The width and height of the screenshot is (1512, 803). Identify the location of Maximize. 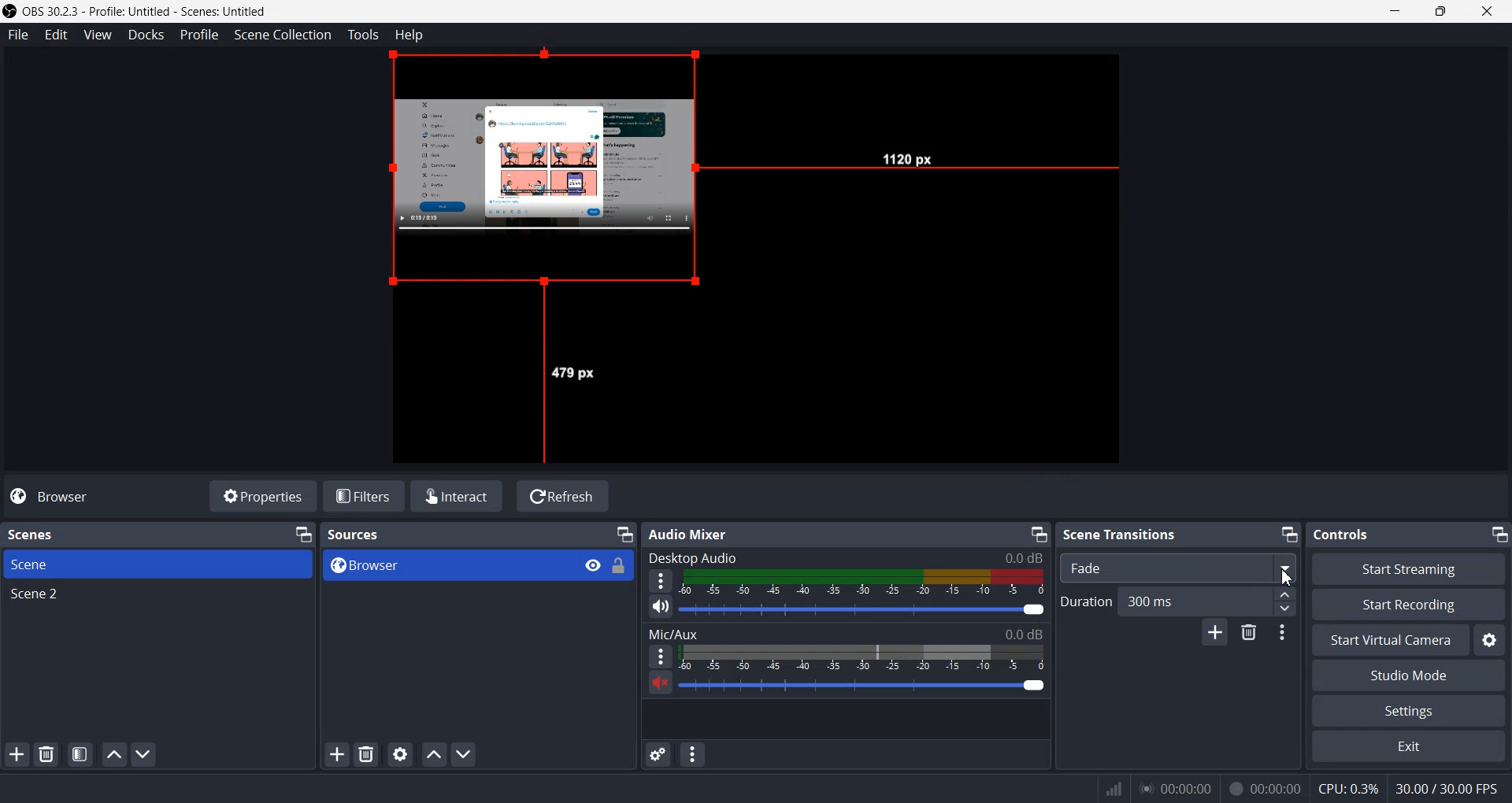
(1440, 11).